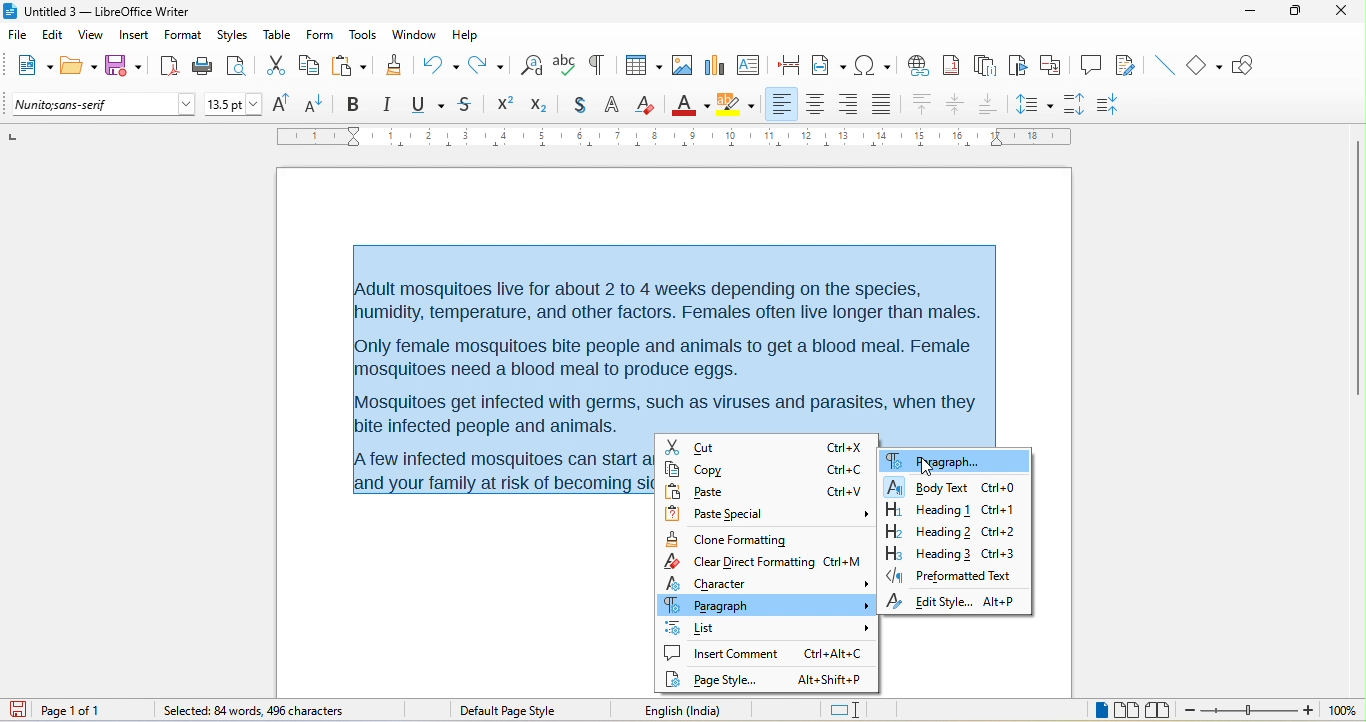 The height and width of the screenshot is (722, 1366). I want to click on italic, so click(386, 105).